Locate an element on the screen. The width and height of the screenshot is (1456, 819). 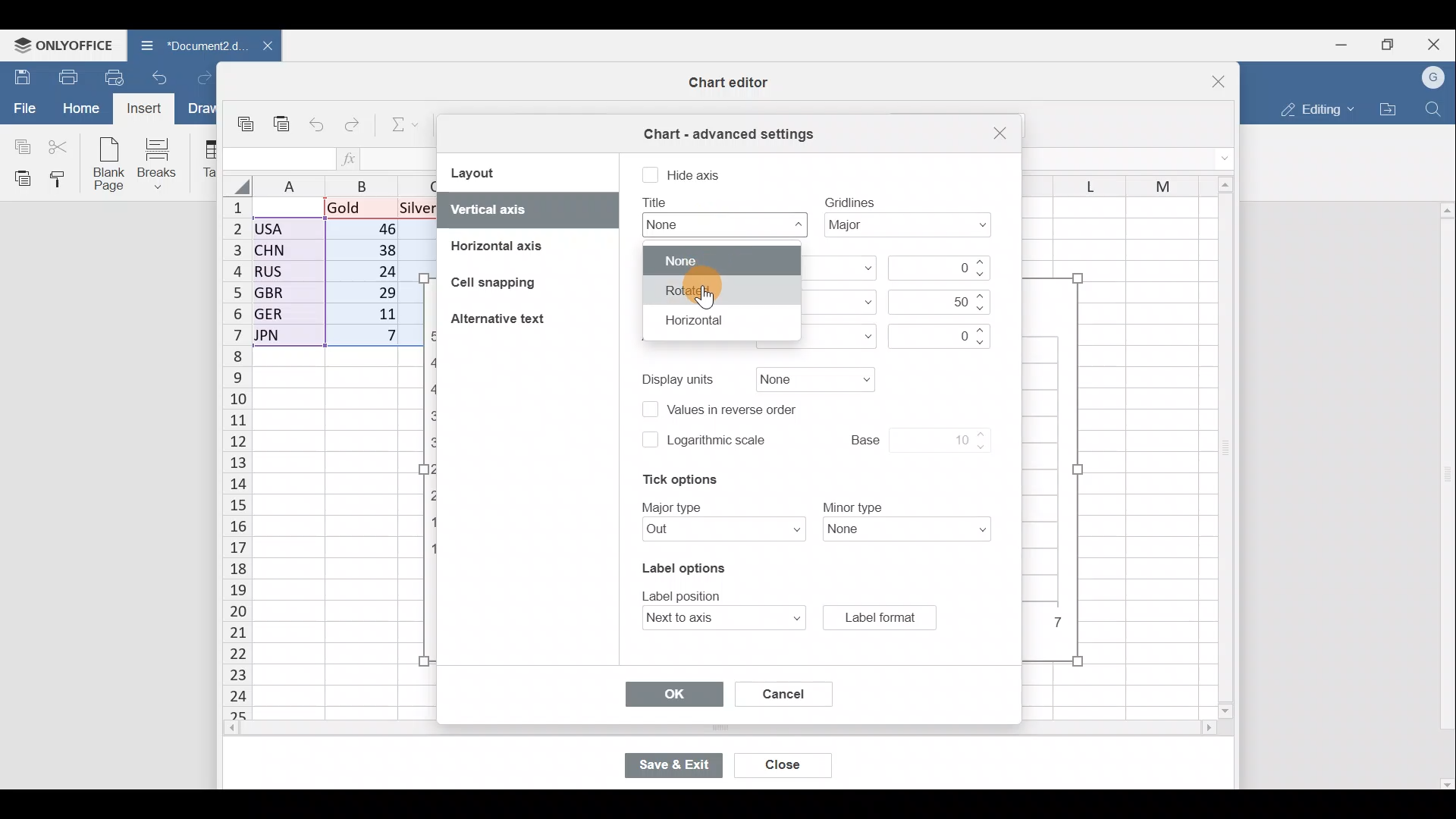
Maximum value is located at coordinates (945, 300).